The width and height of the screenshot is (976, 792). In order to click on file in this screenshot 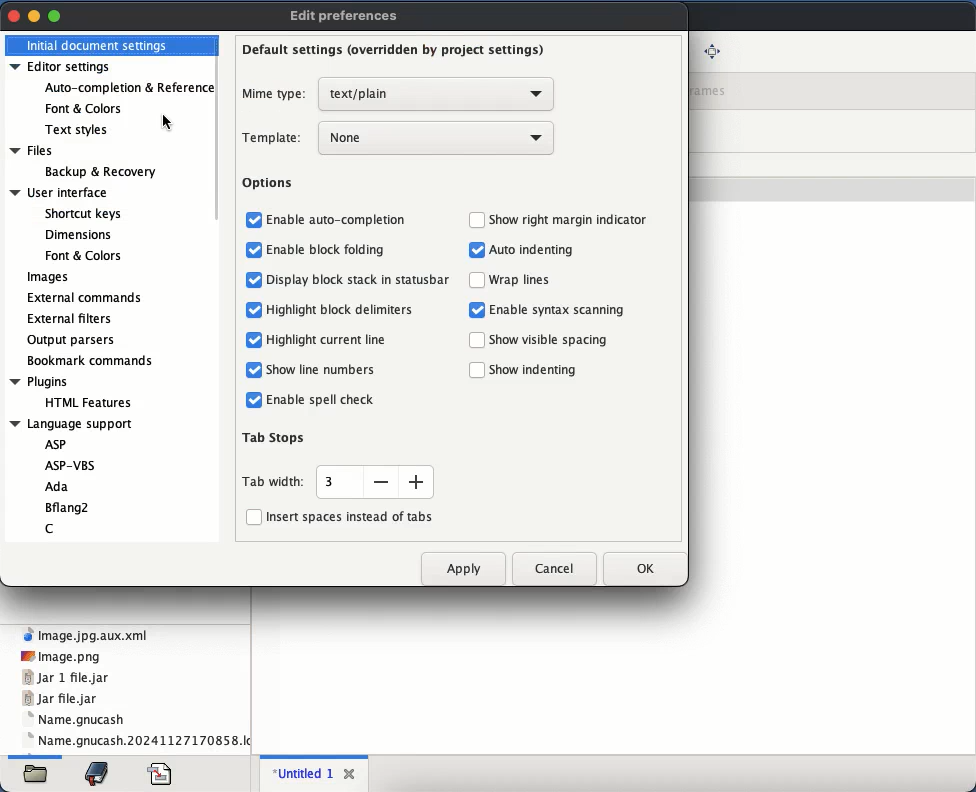, I will do `click(162, 772)`.